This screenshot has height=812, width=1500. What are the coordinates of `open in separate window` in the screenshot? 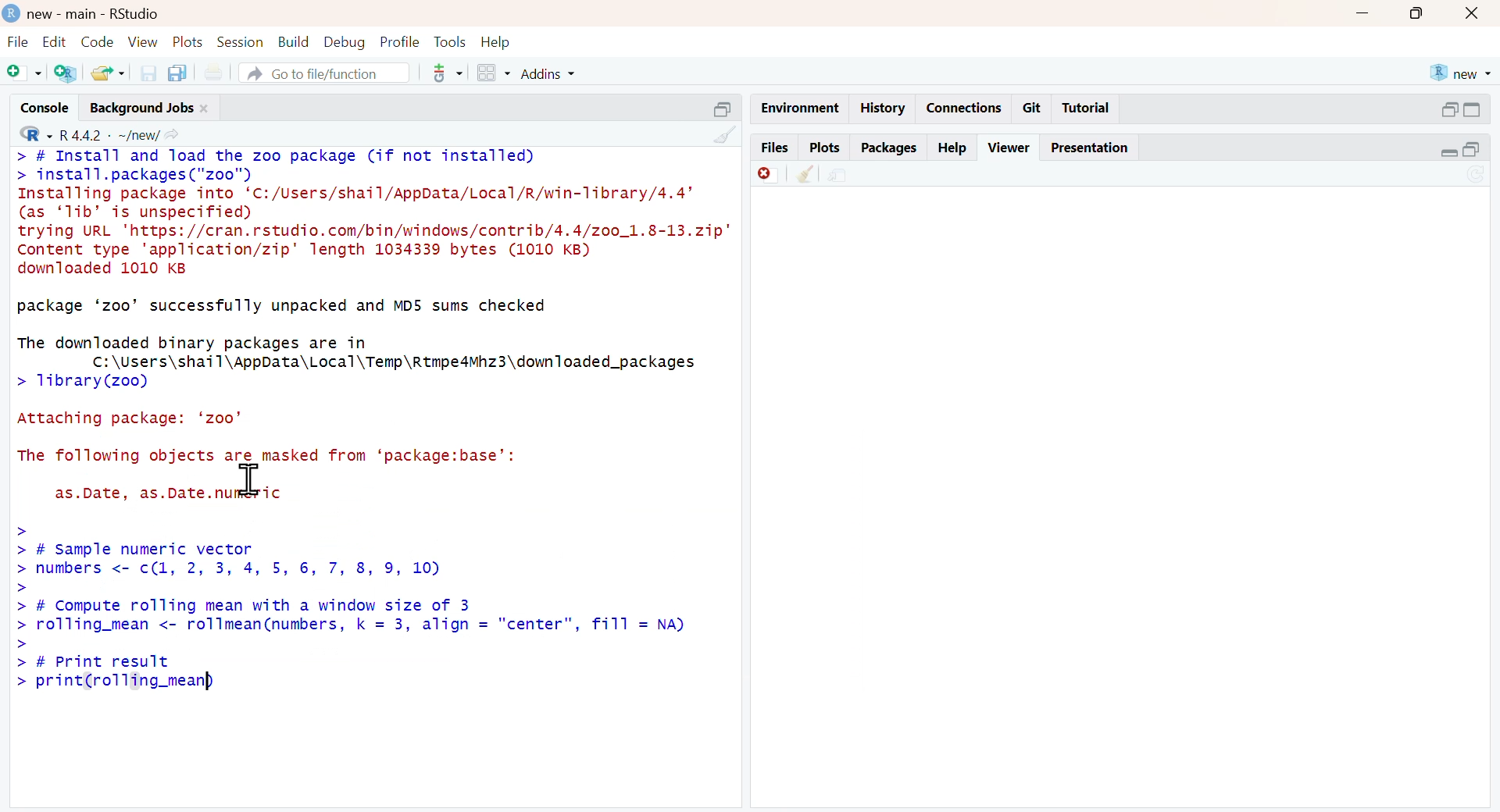 It's located at (724, 109).